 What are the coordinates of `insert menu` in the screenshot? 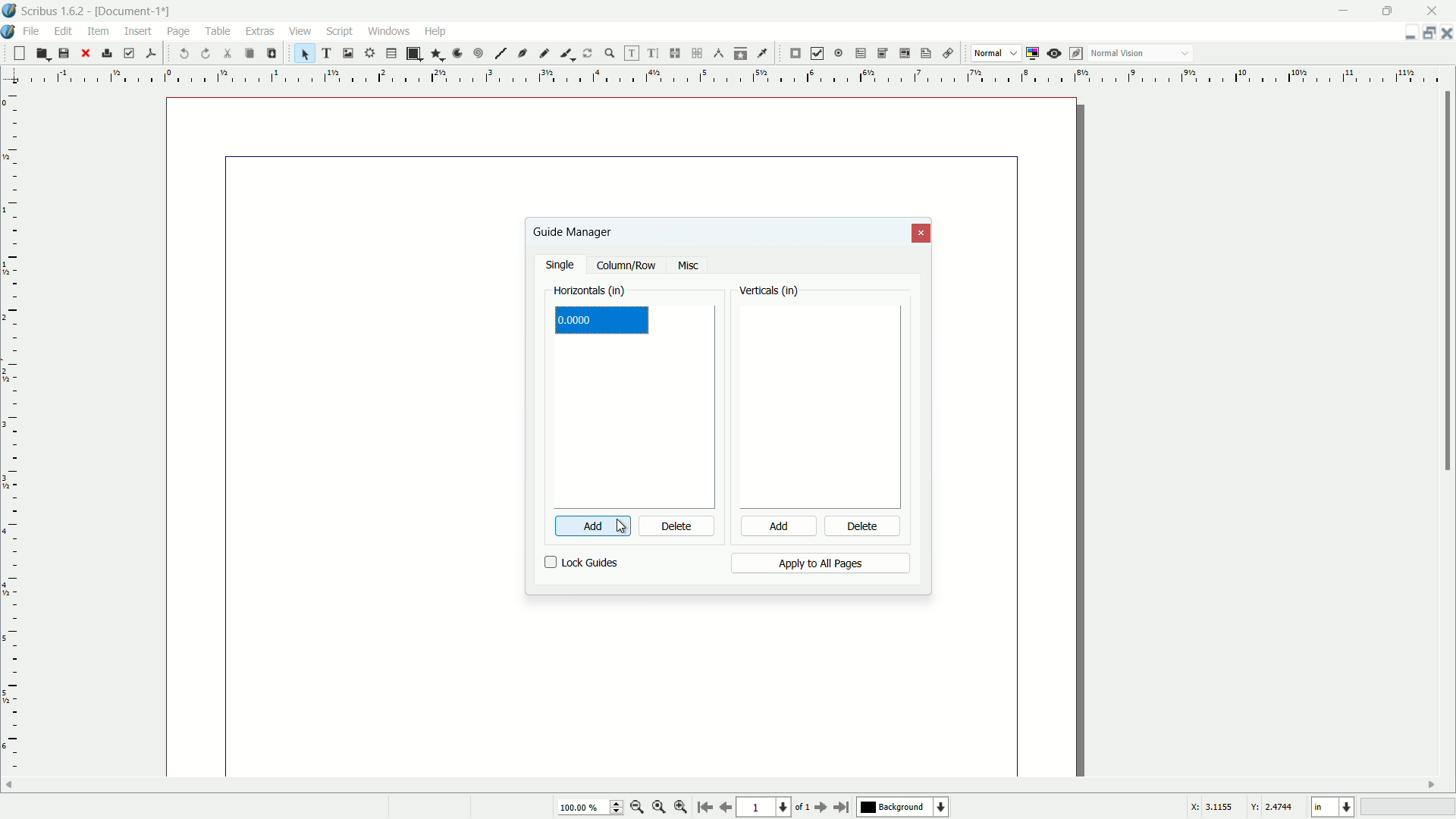 It's located at (139, 30).